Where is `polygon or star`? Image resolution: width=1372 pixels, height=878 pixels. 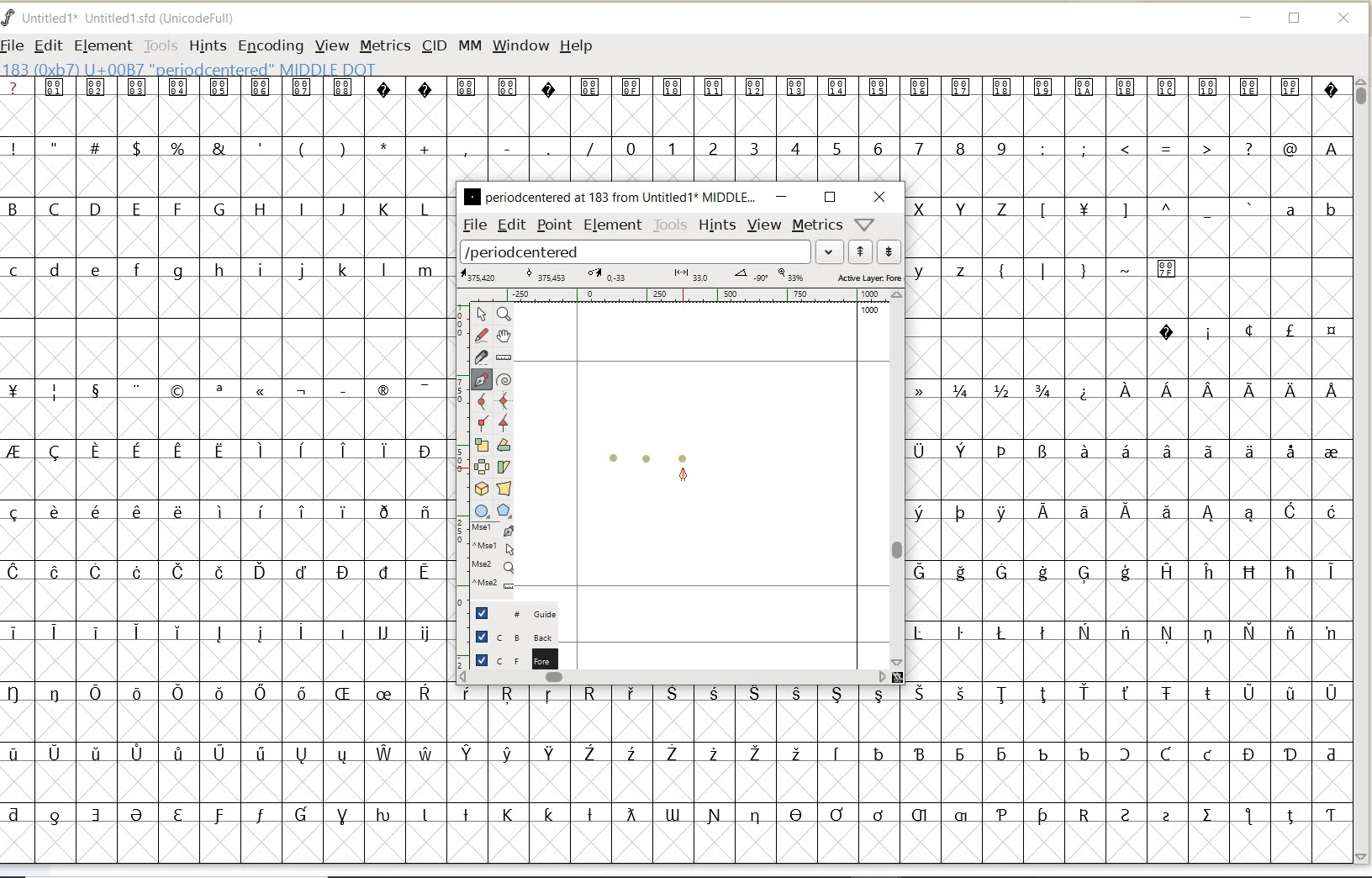
polygon or star is located at coordinates (506, 511).